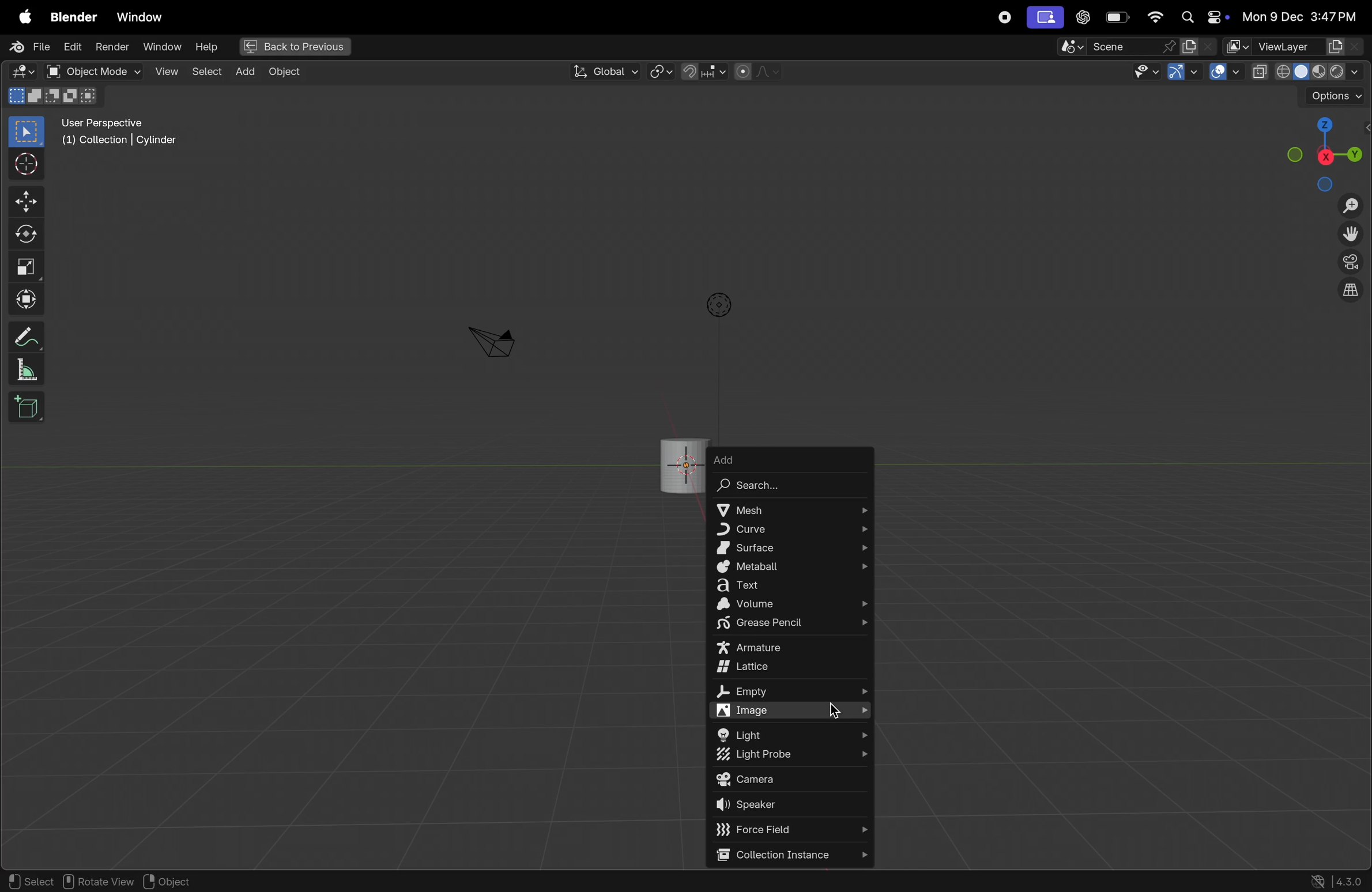 This screenshot has height=892, width=1372. What do you see at coordinates (112, 48) in the screenshot?
I see `render` at bounding box center [112, 48].